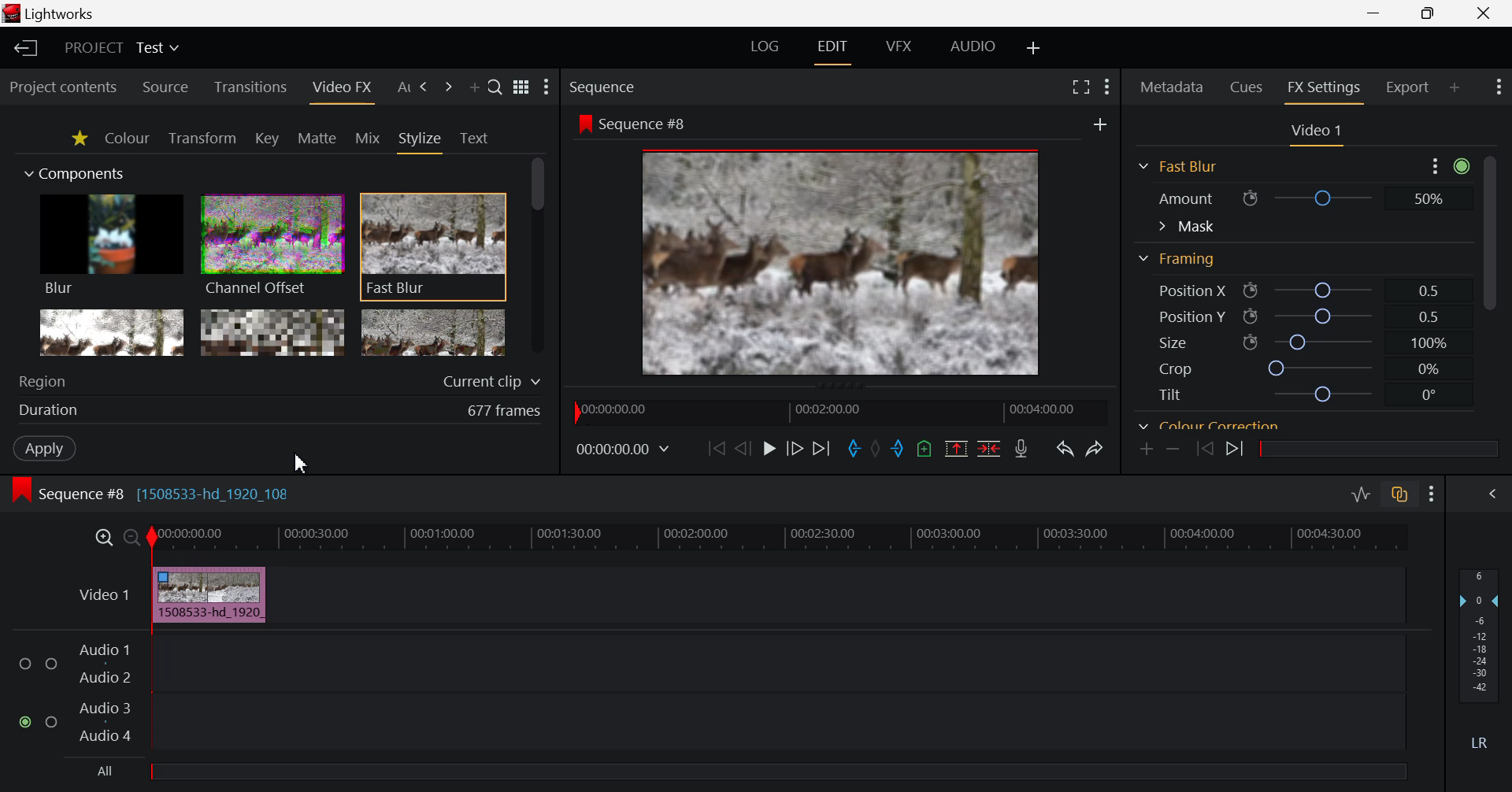 The height and width of the screenshot is (792, 1512). Describe the element at coordinates (836, 411) in the screenshot. I see `Project Timeline Navigator` at that location.